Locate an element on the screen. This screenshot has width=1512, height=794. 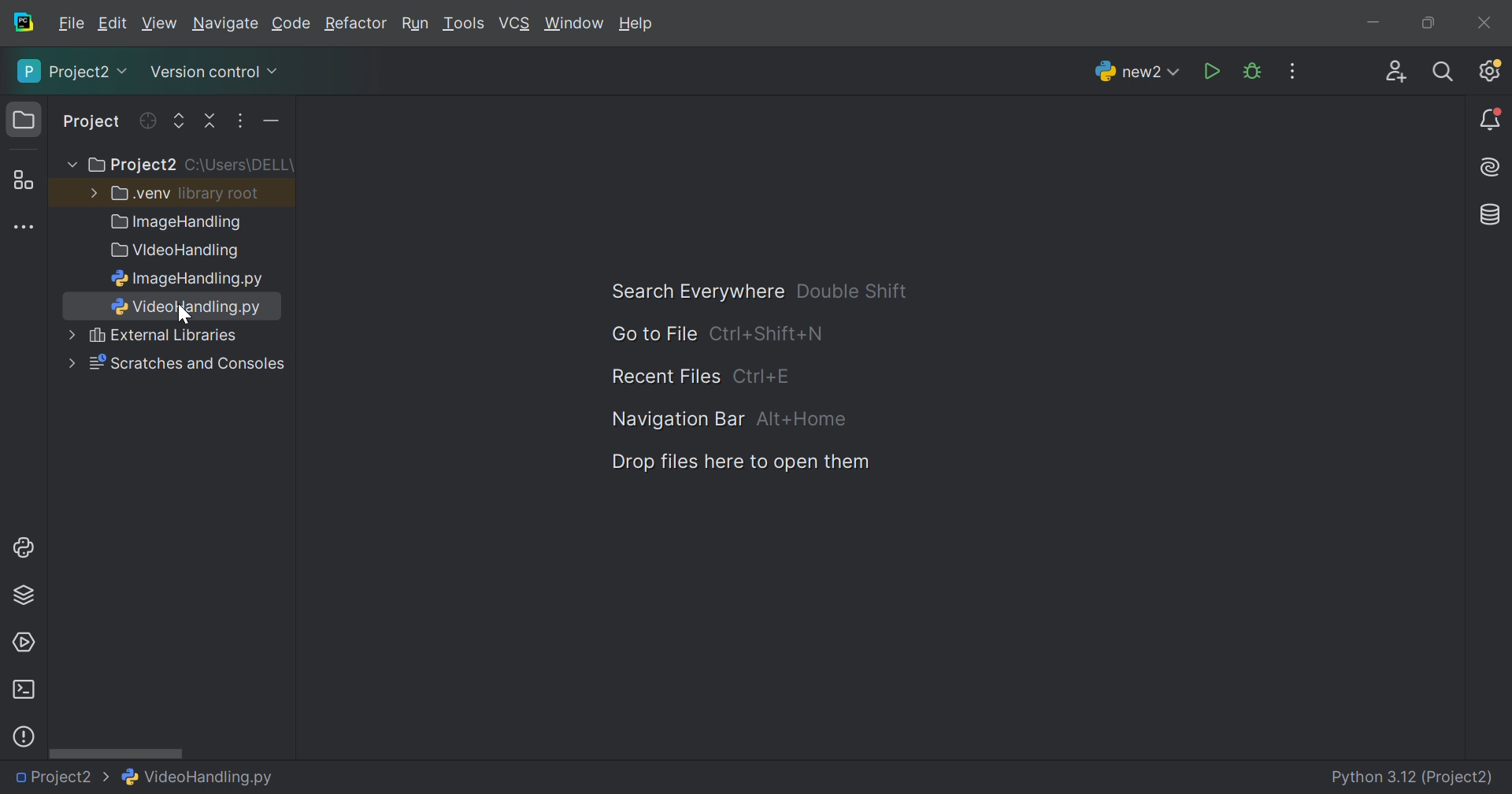
Python 3.12 (Project2) is located at coordinates (1414, 778).